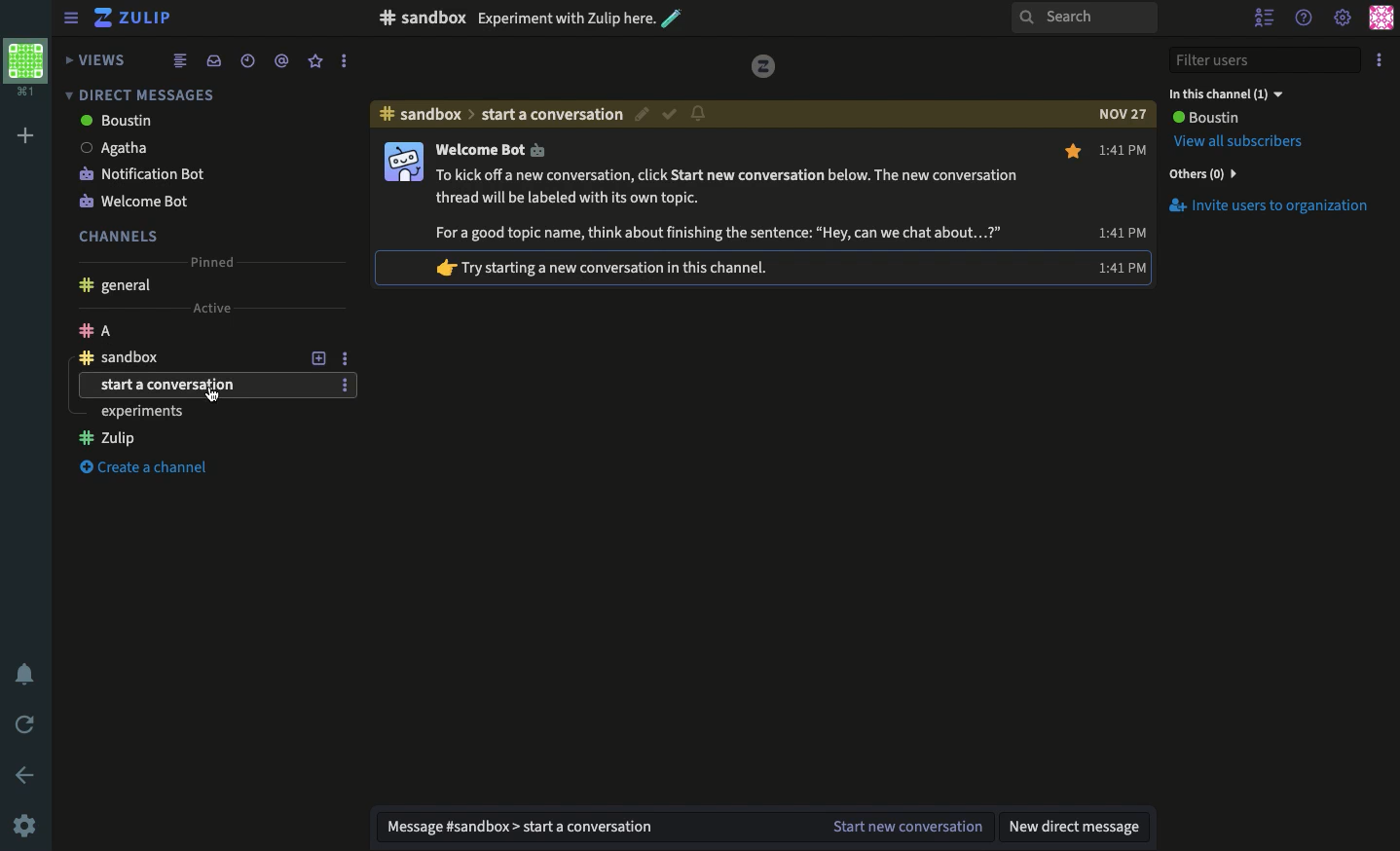 The width and height of the screenshot is (1400, 851). I want to click on Profile, so click(1381, 18).